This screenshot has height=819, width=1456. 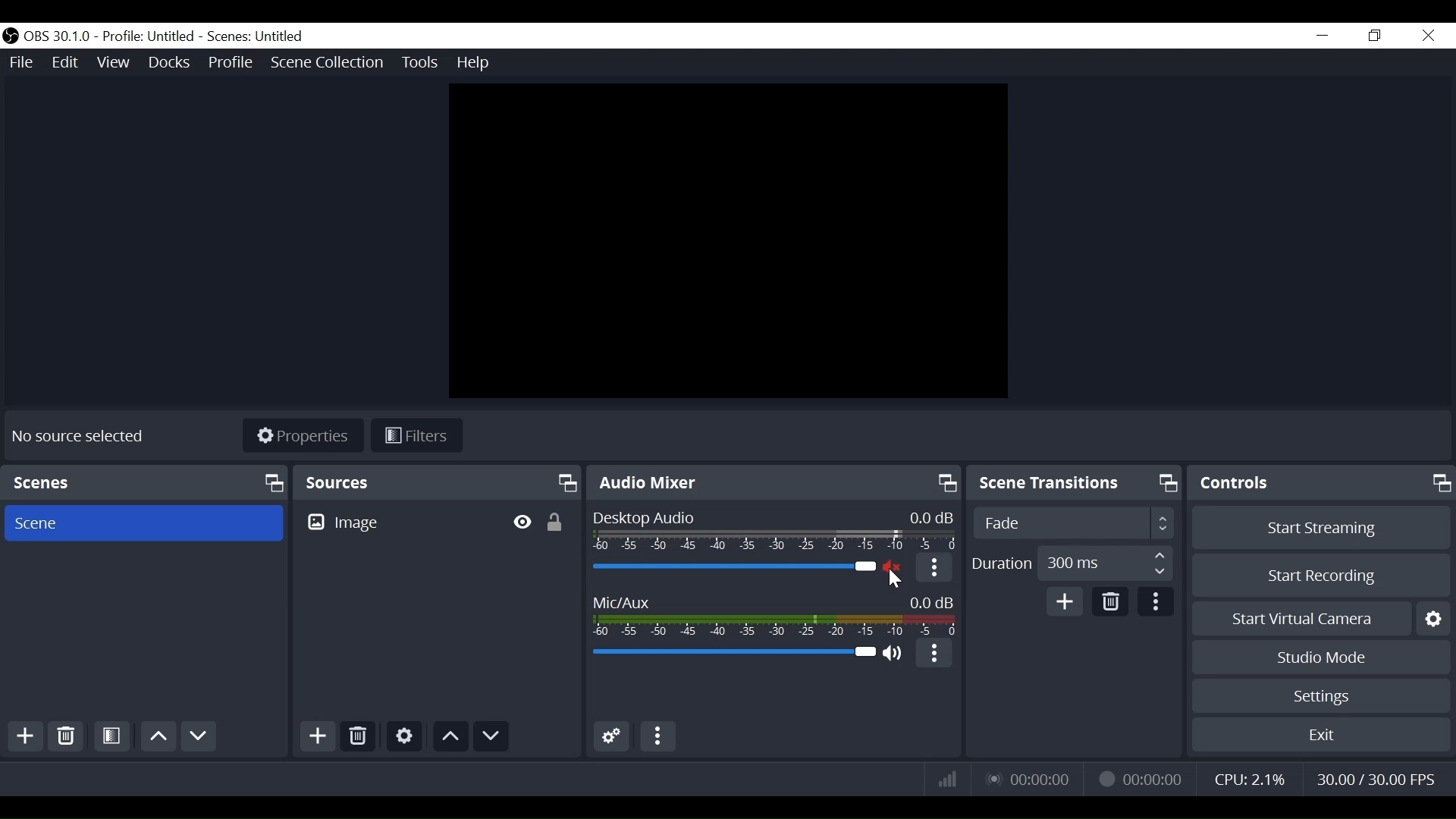 I want to click on (un)mute, so click(x=896, y=654).